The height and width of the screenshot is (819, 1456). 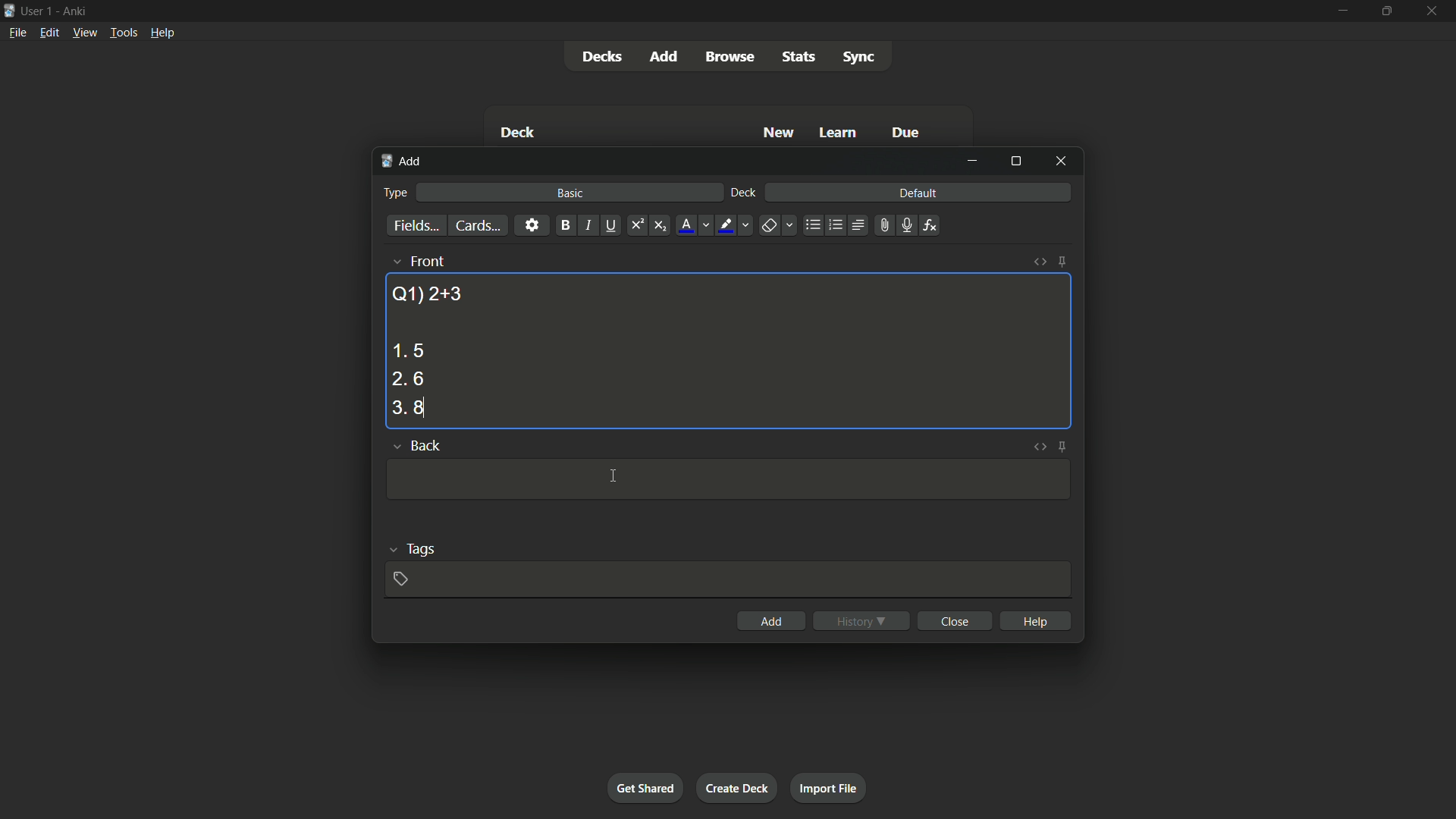 What do you see at coordinates (972, 161) in the screenshot?
I see `minimize` at bounding box center [972, 161].